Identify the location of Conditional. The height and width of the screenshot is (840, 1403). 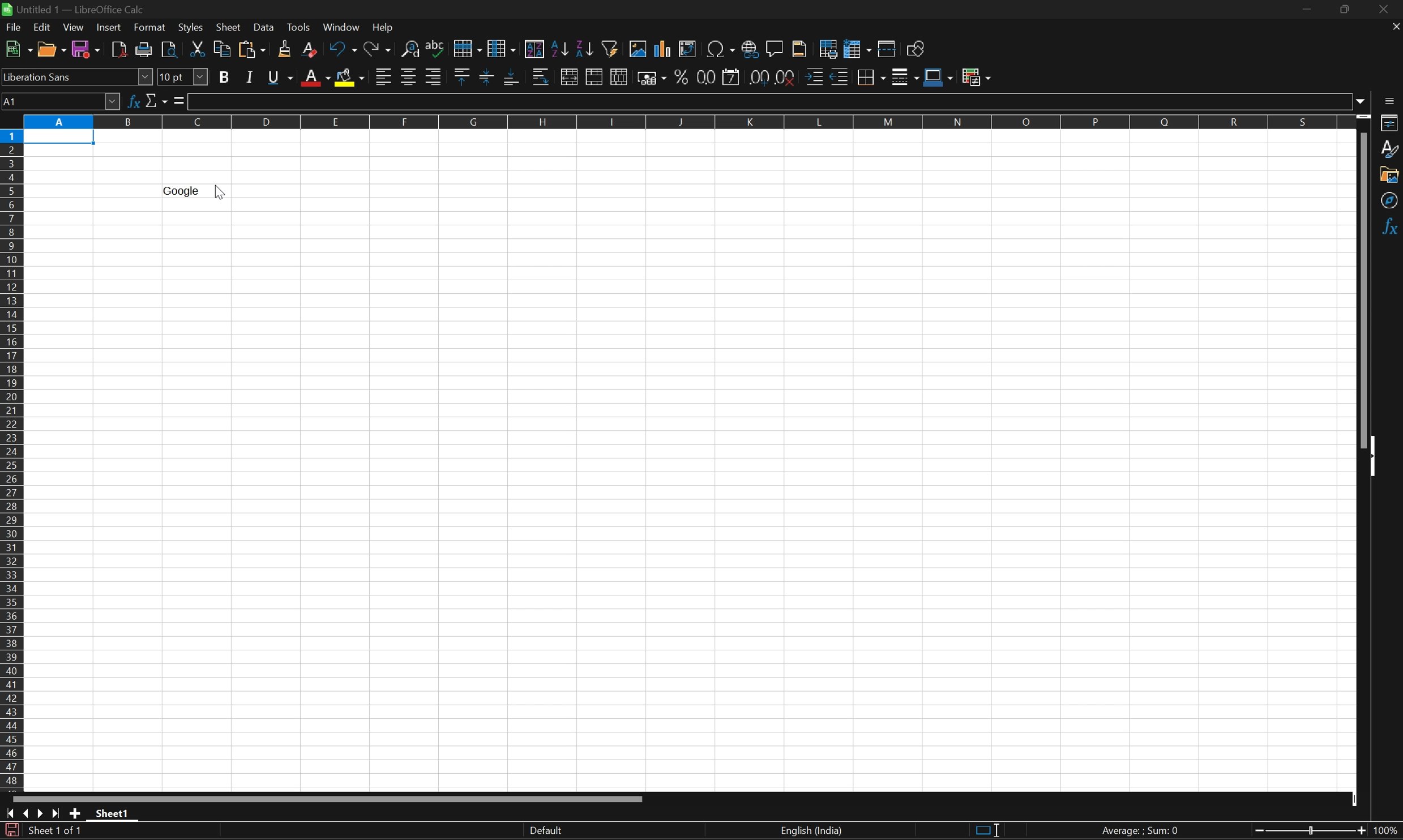
(977, 76).